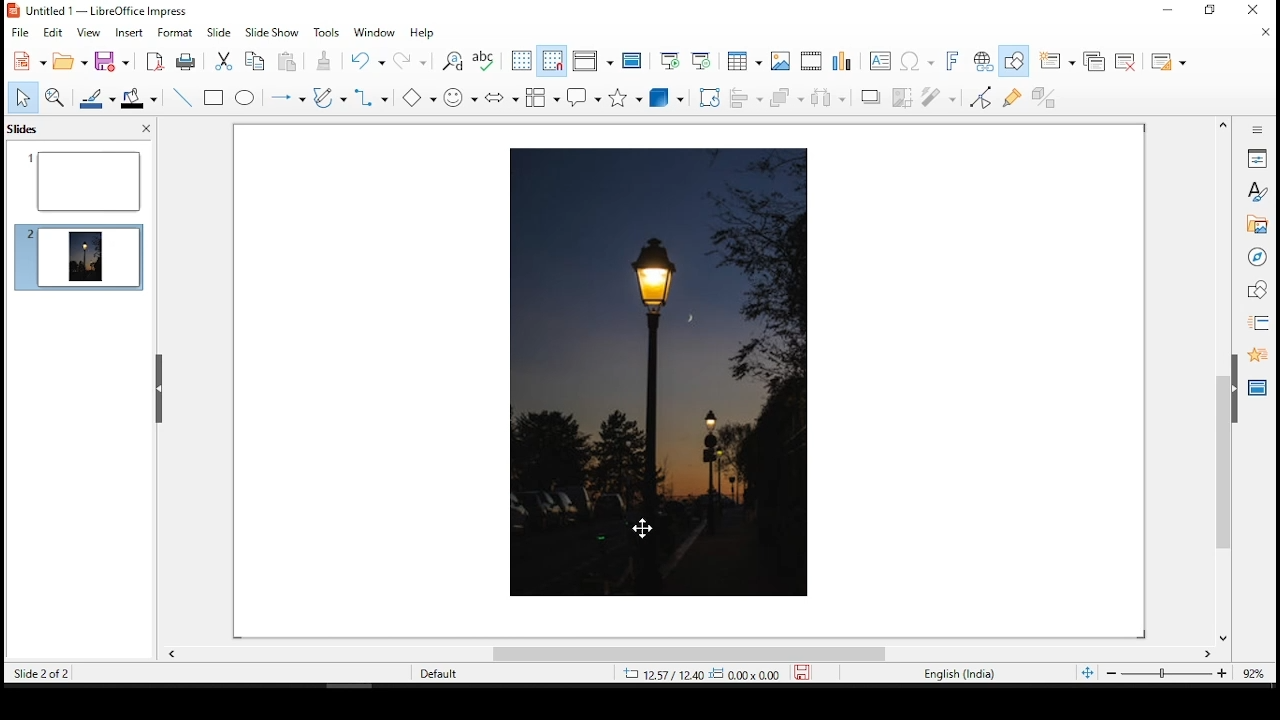 The height and width of the screenshot is (720, 1280). What do you see at coordinates (1259, 387) in the screenshot?
I see `master slides` at bounding box center [1259, 387].